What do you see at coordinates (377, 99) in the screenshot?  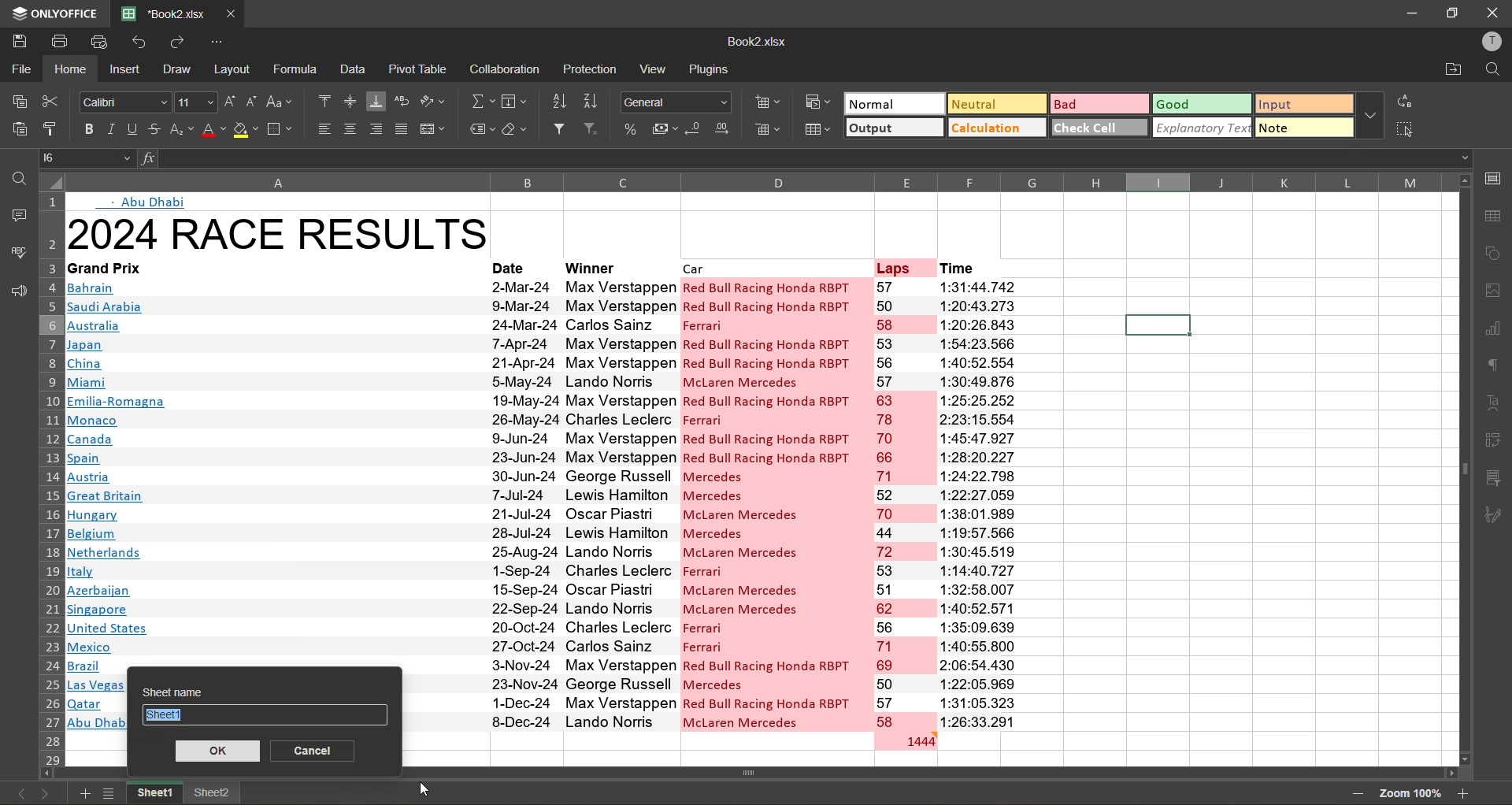 I see `align bottom` at bounding box center [377, 99].